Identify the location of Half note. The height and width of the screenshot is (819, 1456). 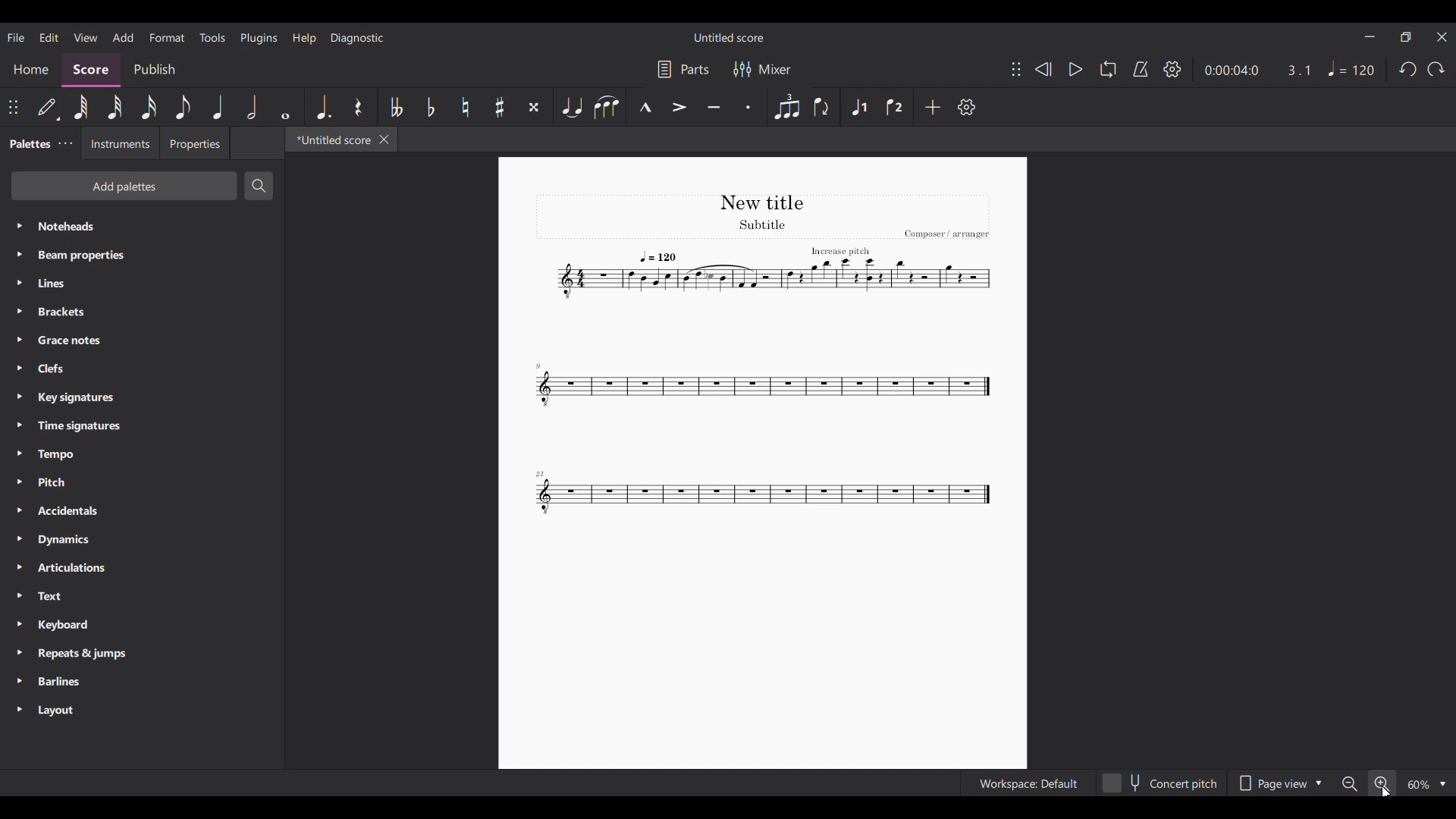
(252, 107).